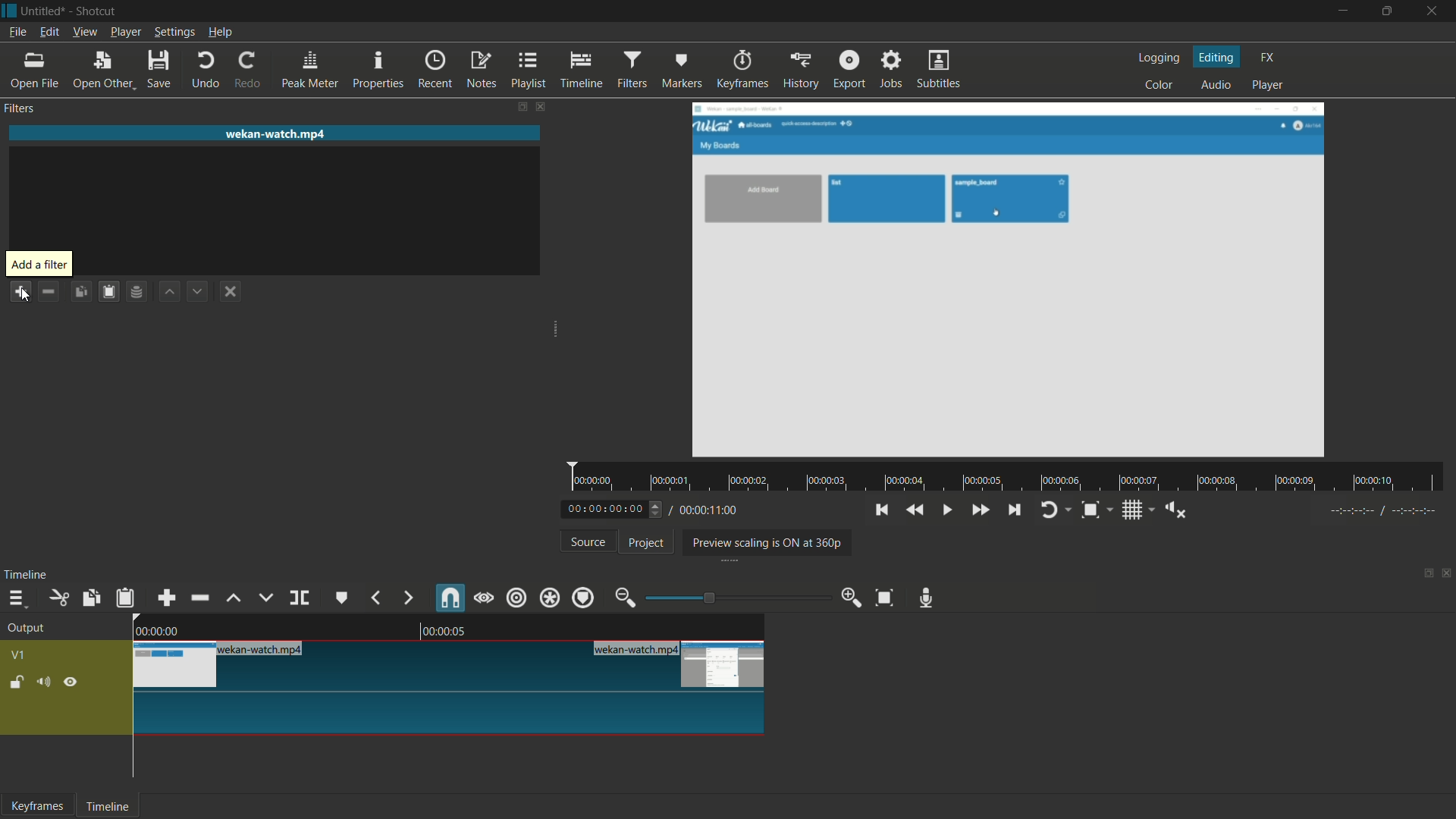 The width and height of the screenshot is (1456, 819). What do you see at coordinates (457, 632) in the screenshot?
I see `00.00.05` at bounding box center [457, 632].